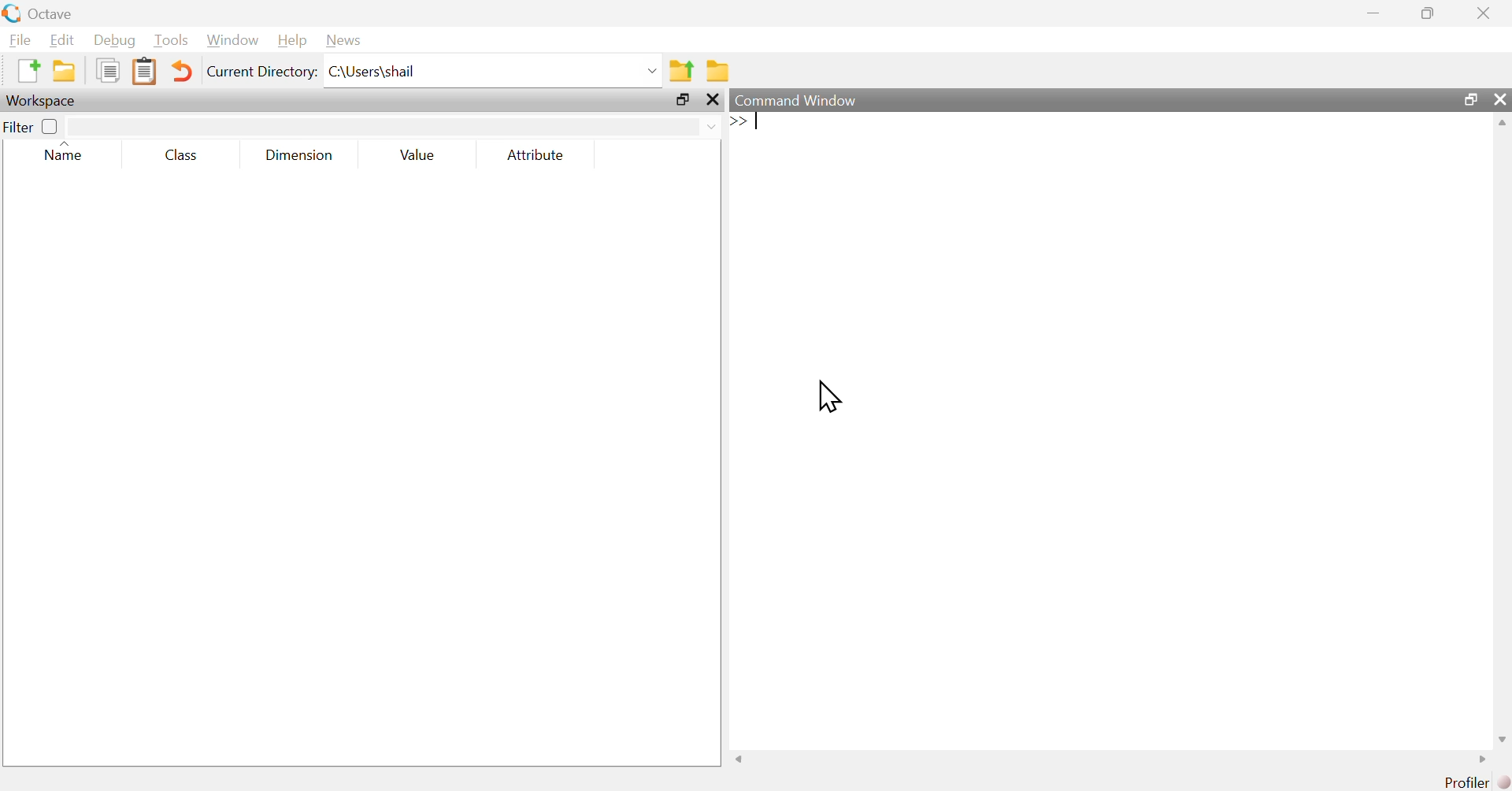 The width and height of the screenshot is (1512, 791). What do you see at coordinates (1502, 124) in the screenshot?
I see `Scrollbar up` at bounding box center [1502, 124].